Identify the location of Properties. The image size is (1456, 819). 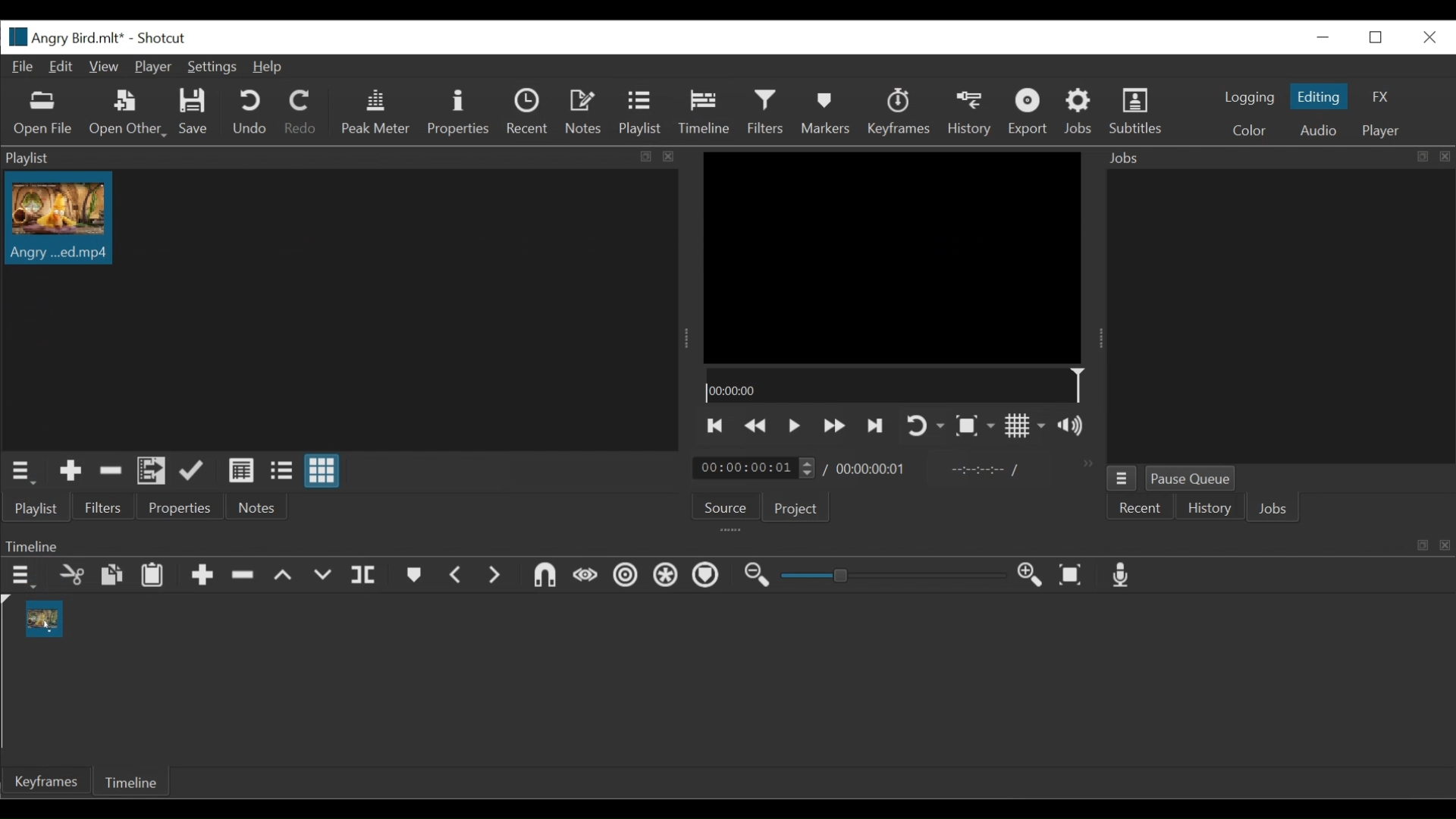
(457, 113).